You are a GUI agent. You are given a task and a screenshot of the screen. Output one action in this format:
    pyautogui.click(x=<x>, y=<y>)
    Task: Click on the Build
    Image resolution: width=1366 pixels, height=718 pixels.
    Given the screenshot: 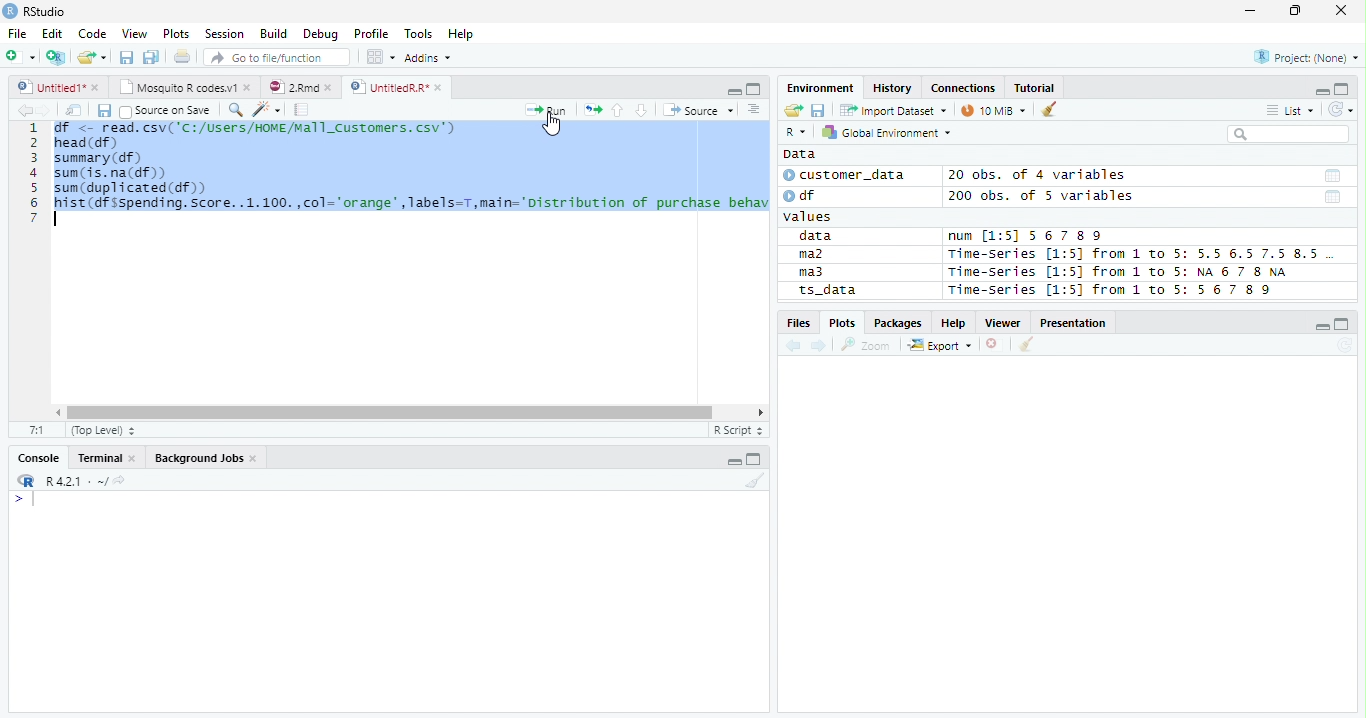 What is the action you would take?
    pyautogui.click(x=276, y=35)
    